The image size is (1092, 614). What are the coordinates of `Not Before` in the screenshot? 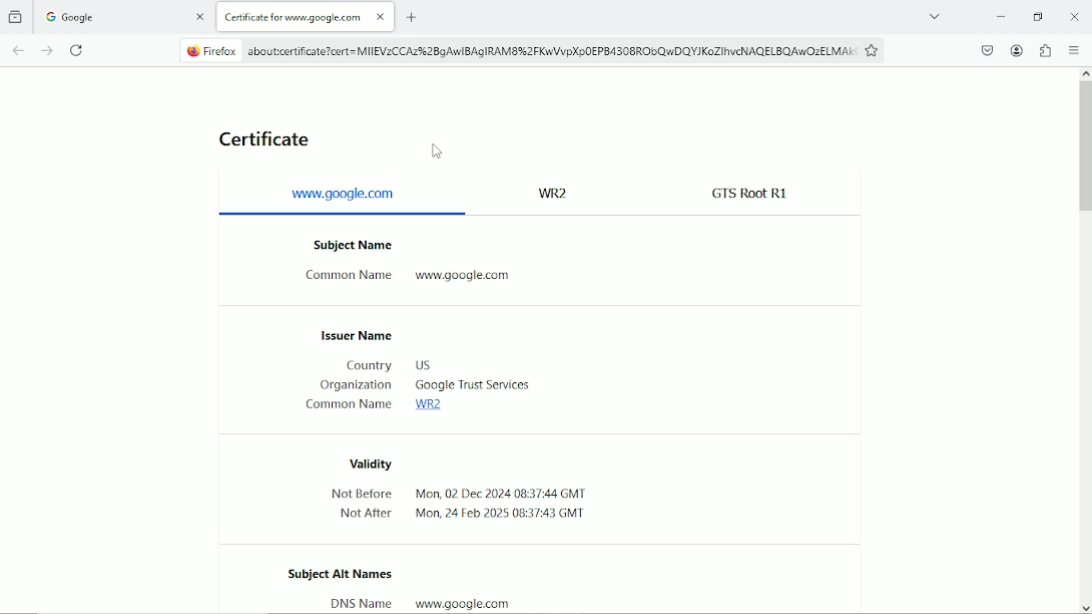 It's located at (362, 494).